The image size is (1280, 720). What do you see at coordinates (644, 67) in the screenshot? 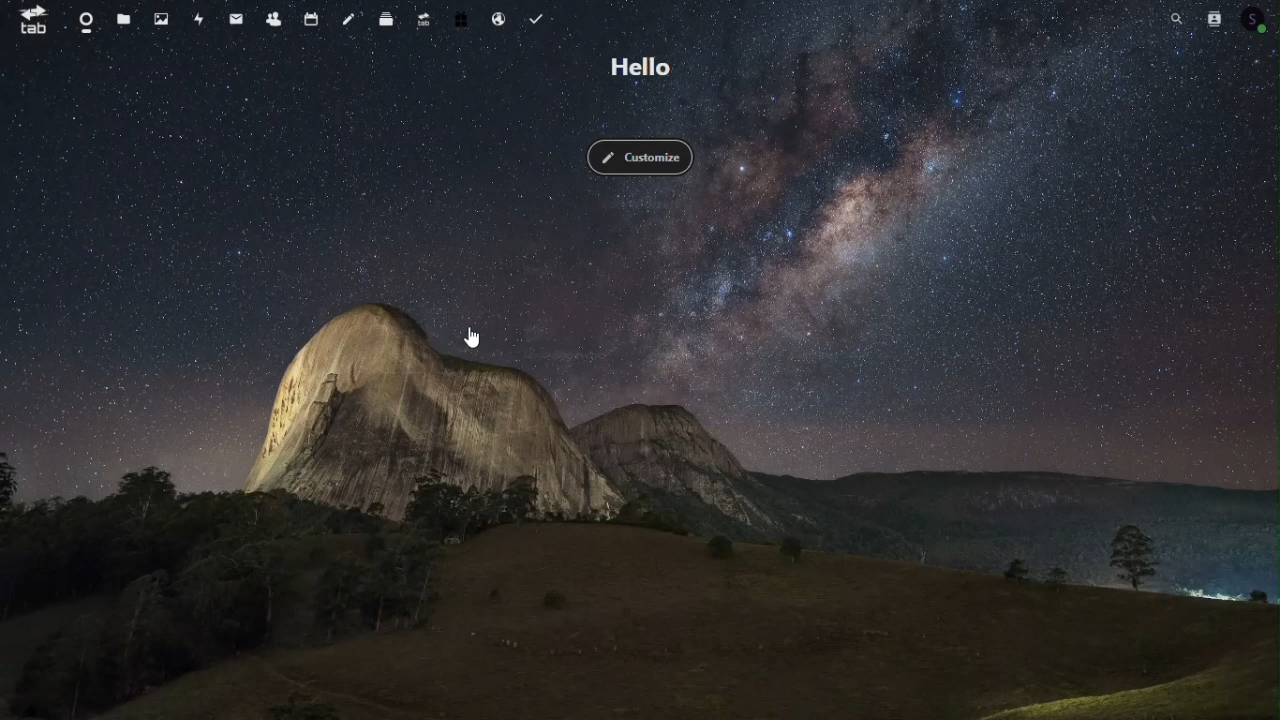
I see `hello` at bounding box center [644, 67].